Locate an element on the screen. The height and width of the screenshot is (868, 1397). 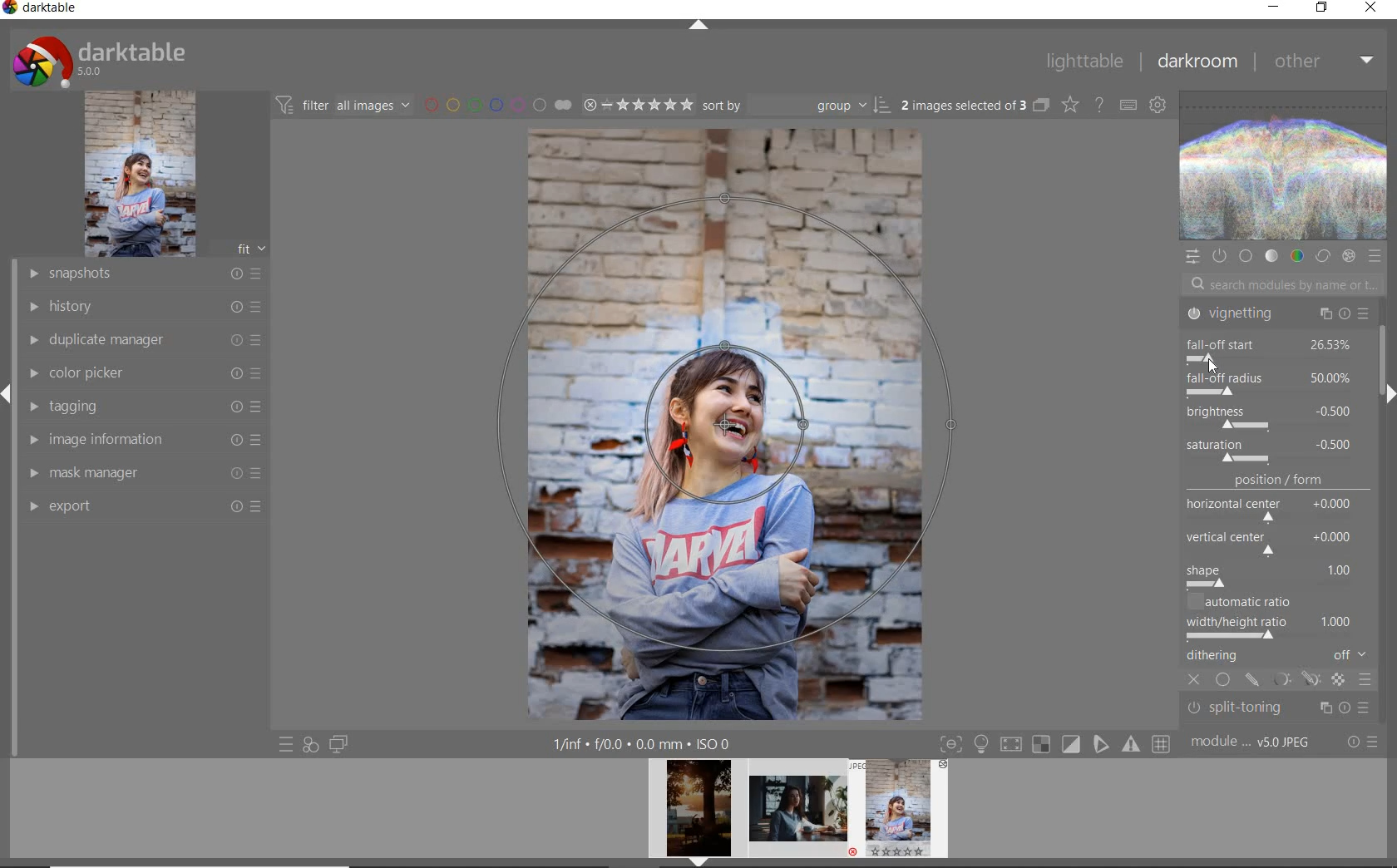
cursor position is located at coordinates (1211, 363).